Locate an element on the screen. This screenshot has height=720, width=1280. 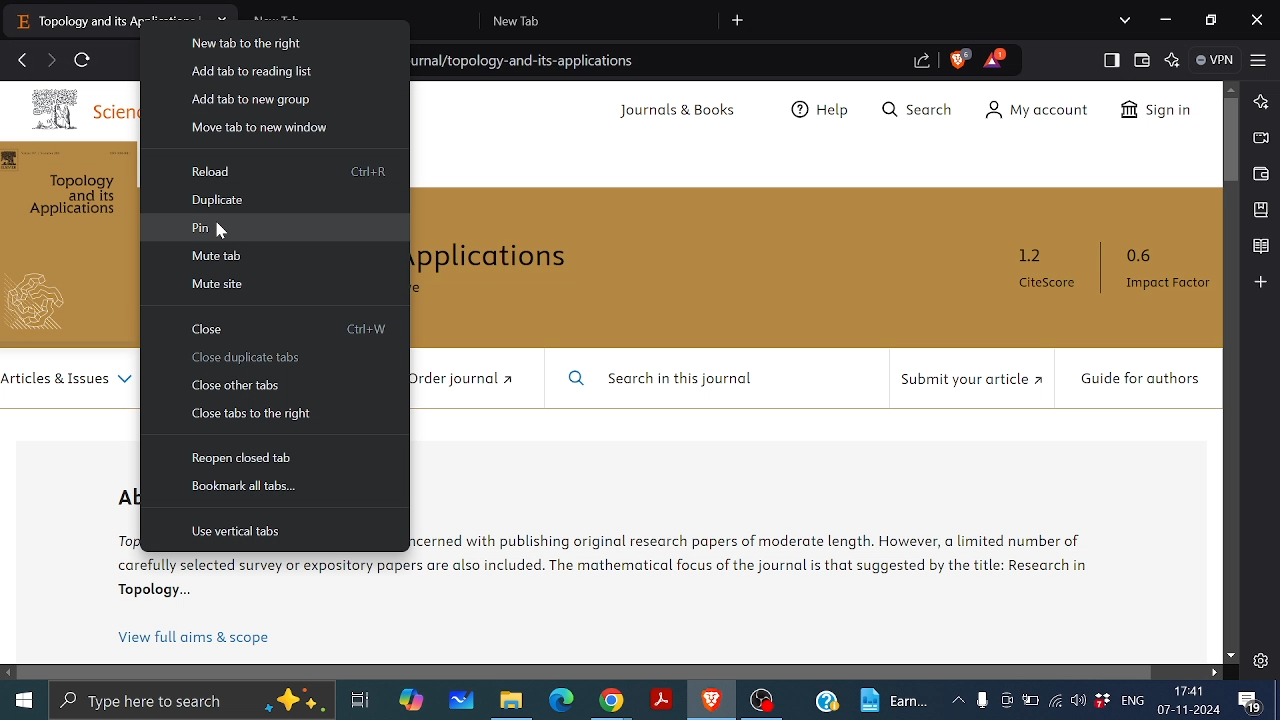
Guide for authors is located at coordinates (1138, 380).